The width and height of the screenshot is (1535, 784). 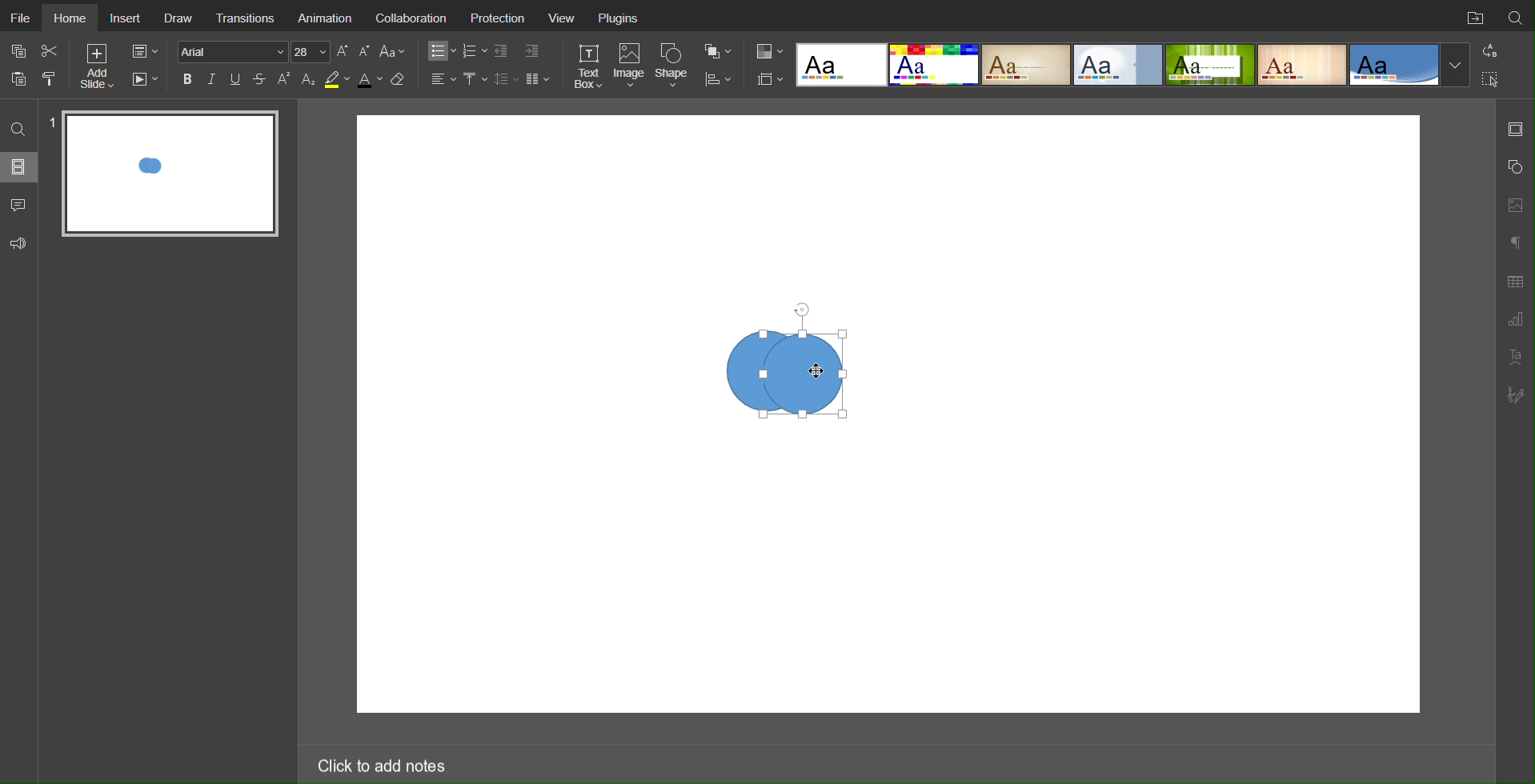 I want to click on slide number, so click(x=52, y=120).